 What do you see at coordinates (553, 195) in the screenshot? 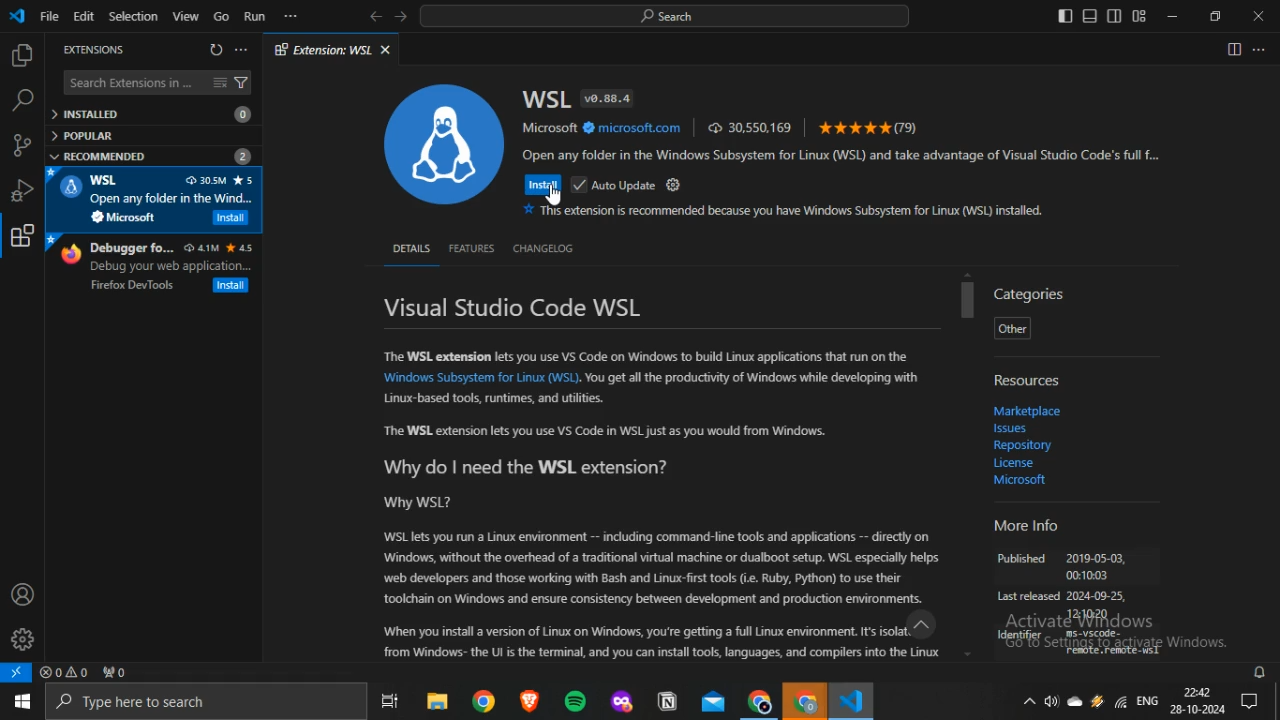
I see `cursor` at bounding box center [553, 195].